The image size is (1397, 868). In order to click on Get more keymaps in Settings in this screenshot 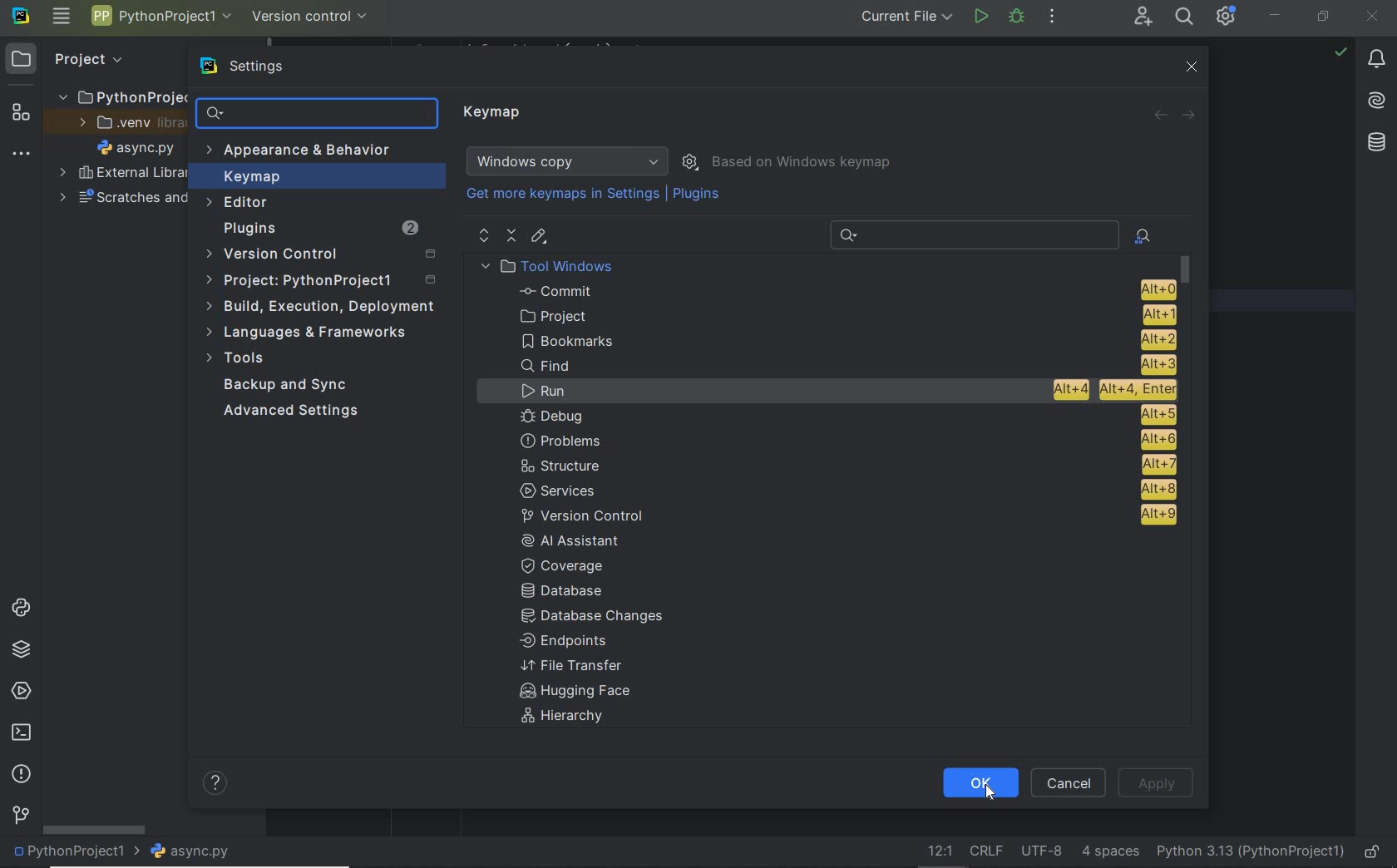, I will do `click(555, 195)`.